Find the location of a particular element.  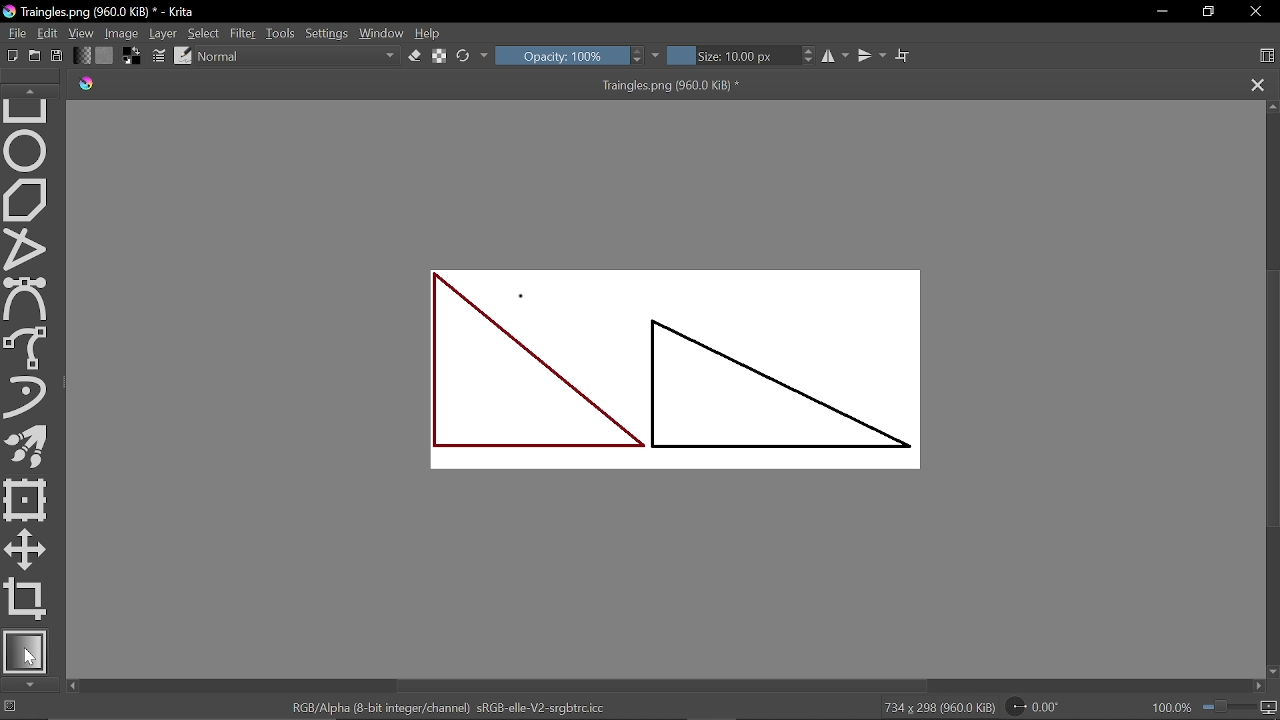

Help is located at coordinates (433, 33).